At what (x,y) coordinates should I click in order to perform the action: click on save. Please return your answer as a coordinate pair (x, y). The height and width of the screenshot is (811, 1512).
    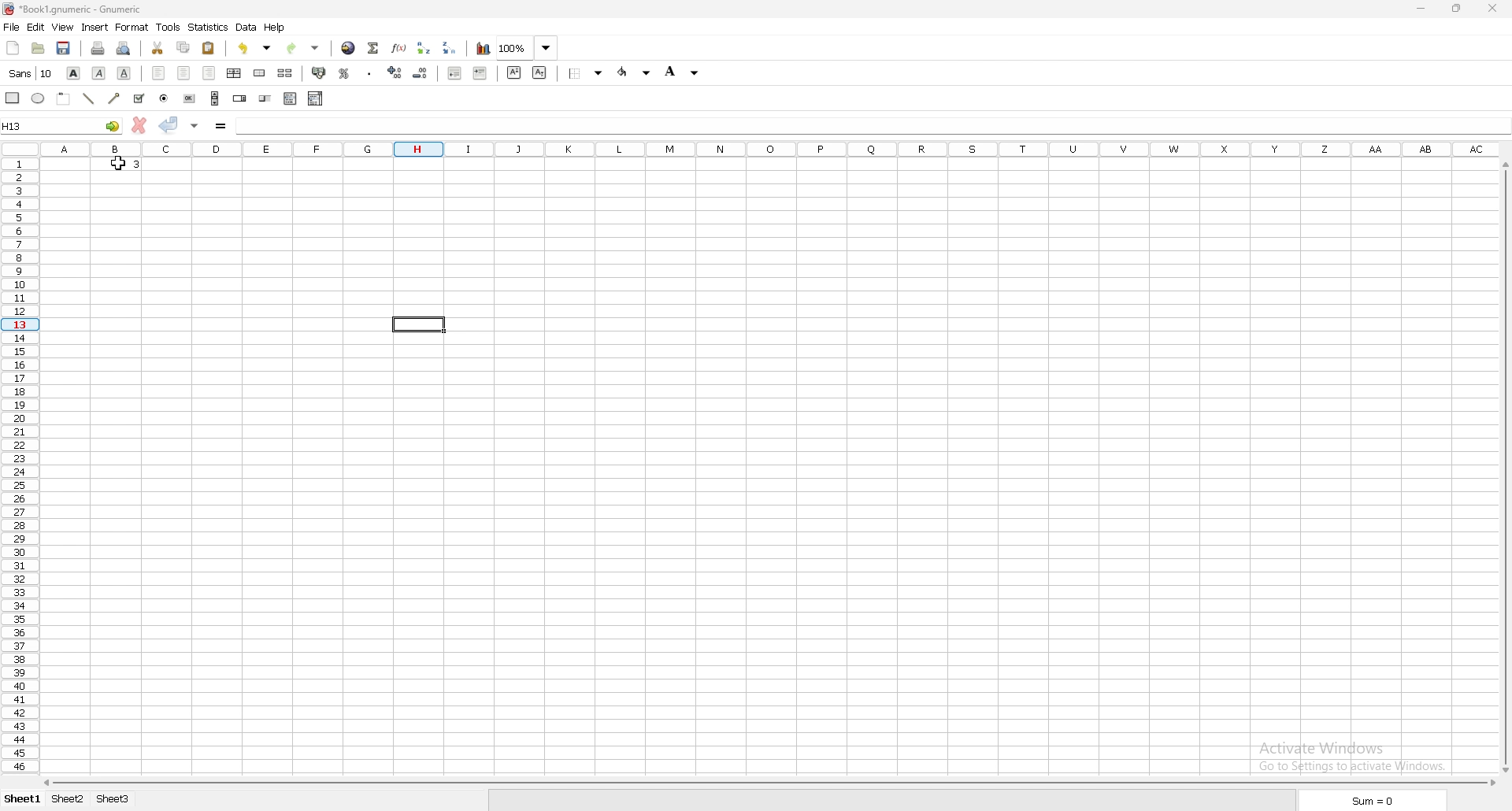
    Looking at the image, I should click on (64, 47).